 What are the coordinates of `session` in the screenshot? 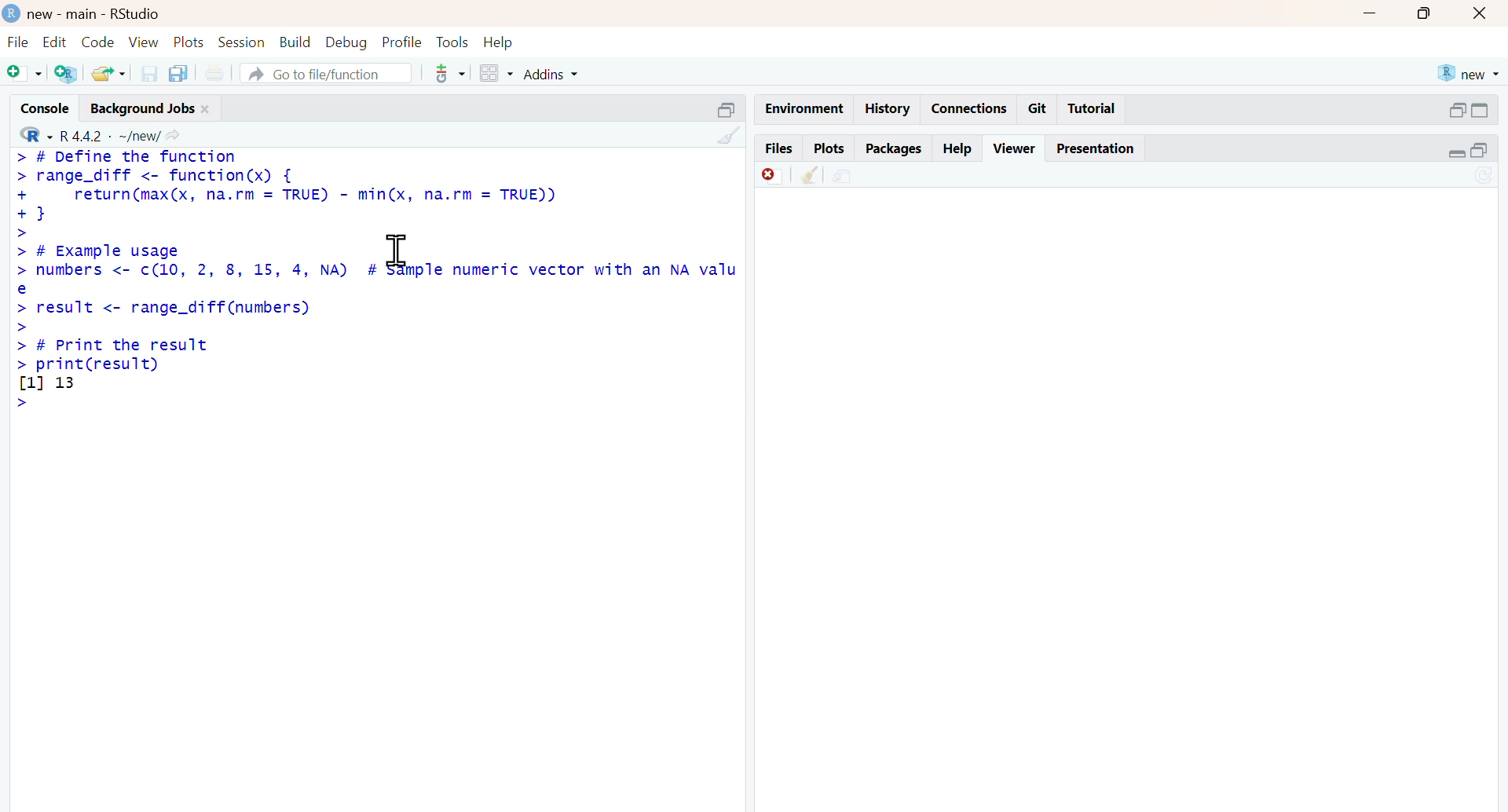 It's located at (243, 43).